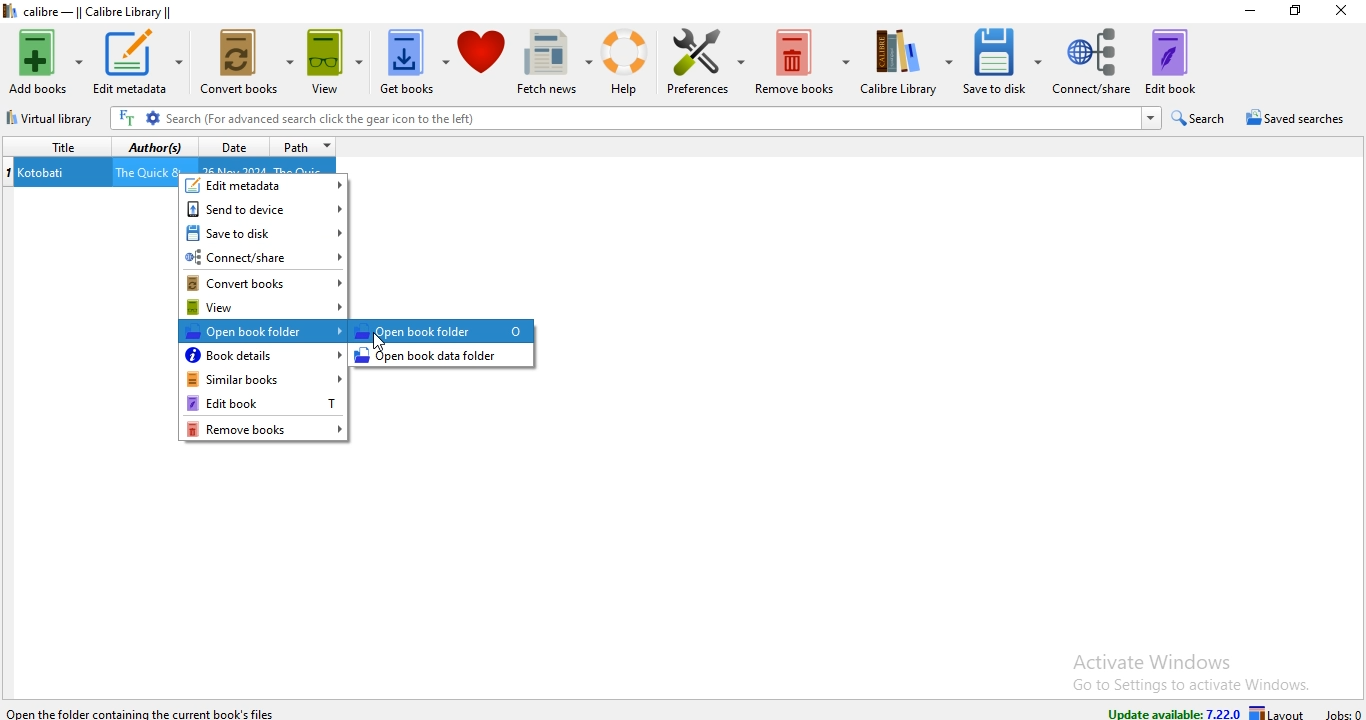 The height and width of the screenshot is (720, 1366). I want to click on authors, so click(154, 147).